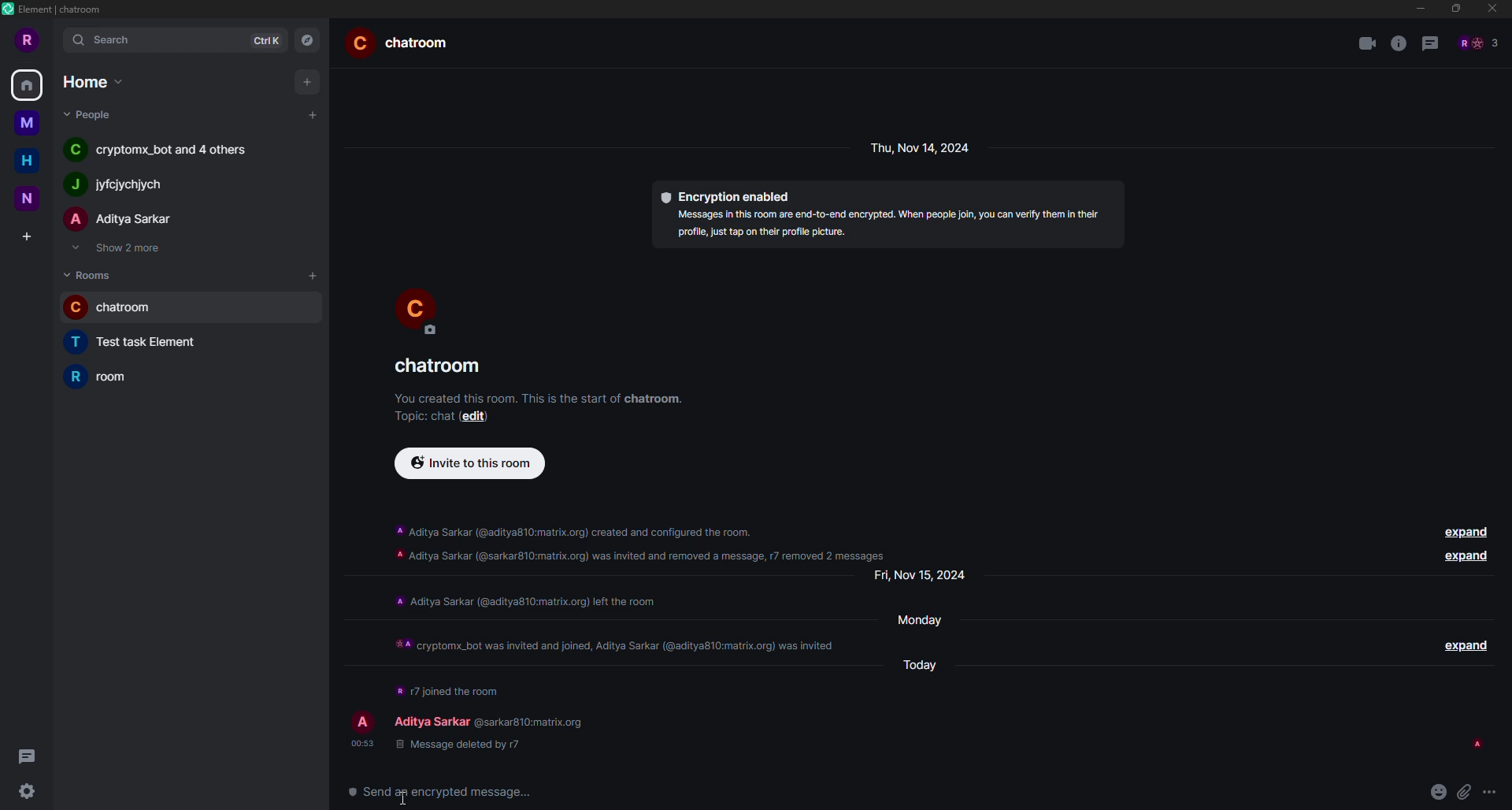 This screenshot has height=810, width=1512. Describe the element at coordinates (25, 756) in the screenshot. I see `threads` at that location.